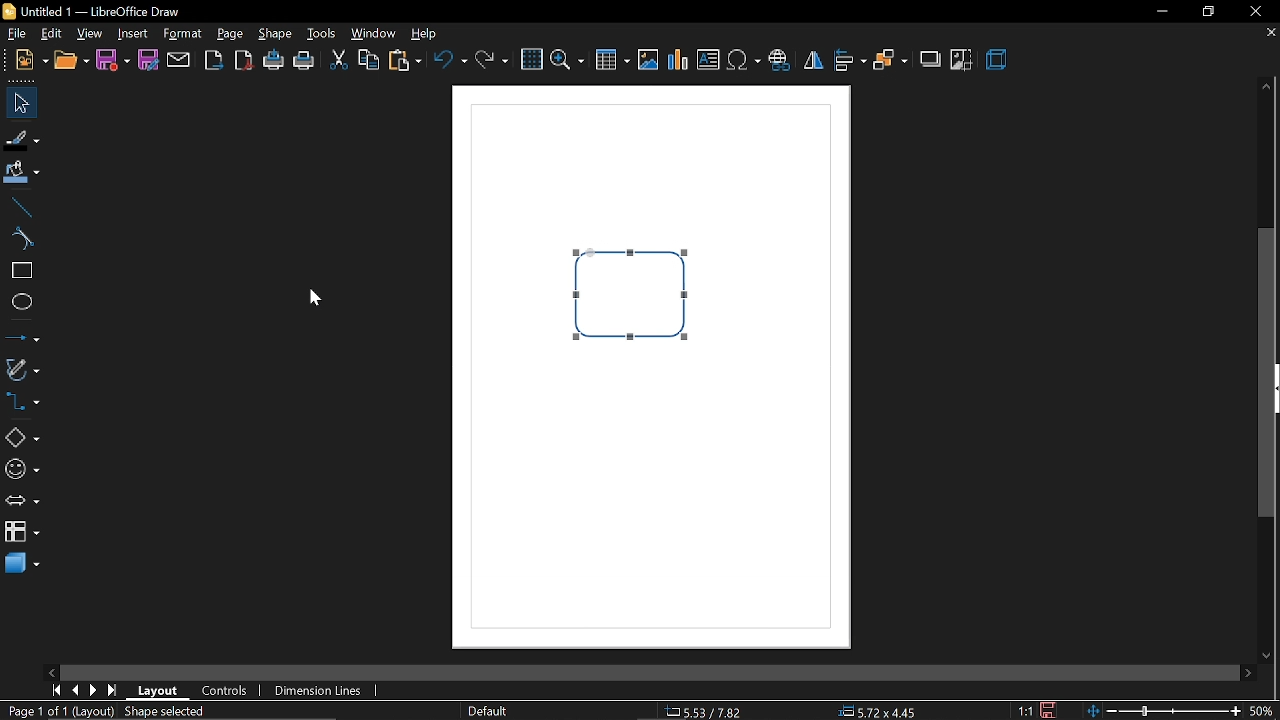 Image resolution: width=1280 pixels, height=720 pixels. Describe the element at coordinates (1253, 11) in the screenshot. I see `close` at that location.